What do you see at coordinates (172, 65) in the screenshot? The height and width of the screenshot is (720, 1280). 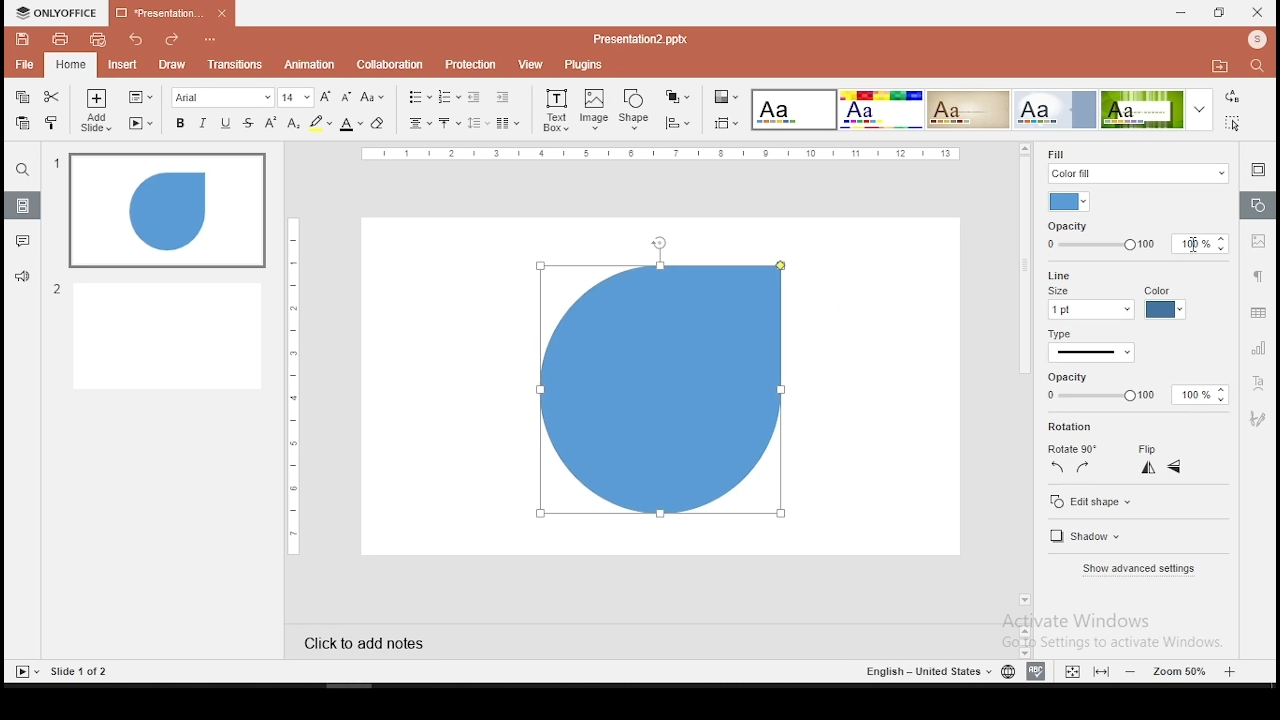 I see `draw` at bounding box center [172, 65].